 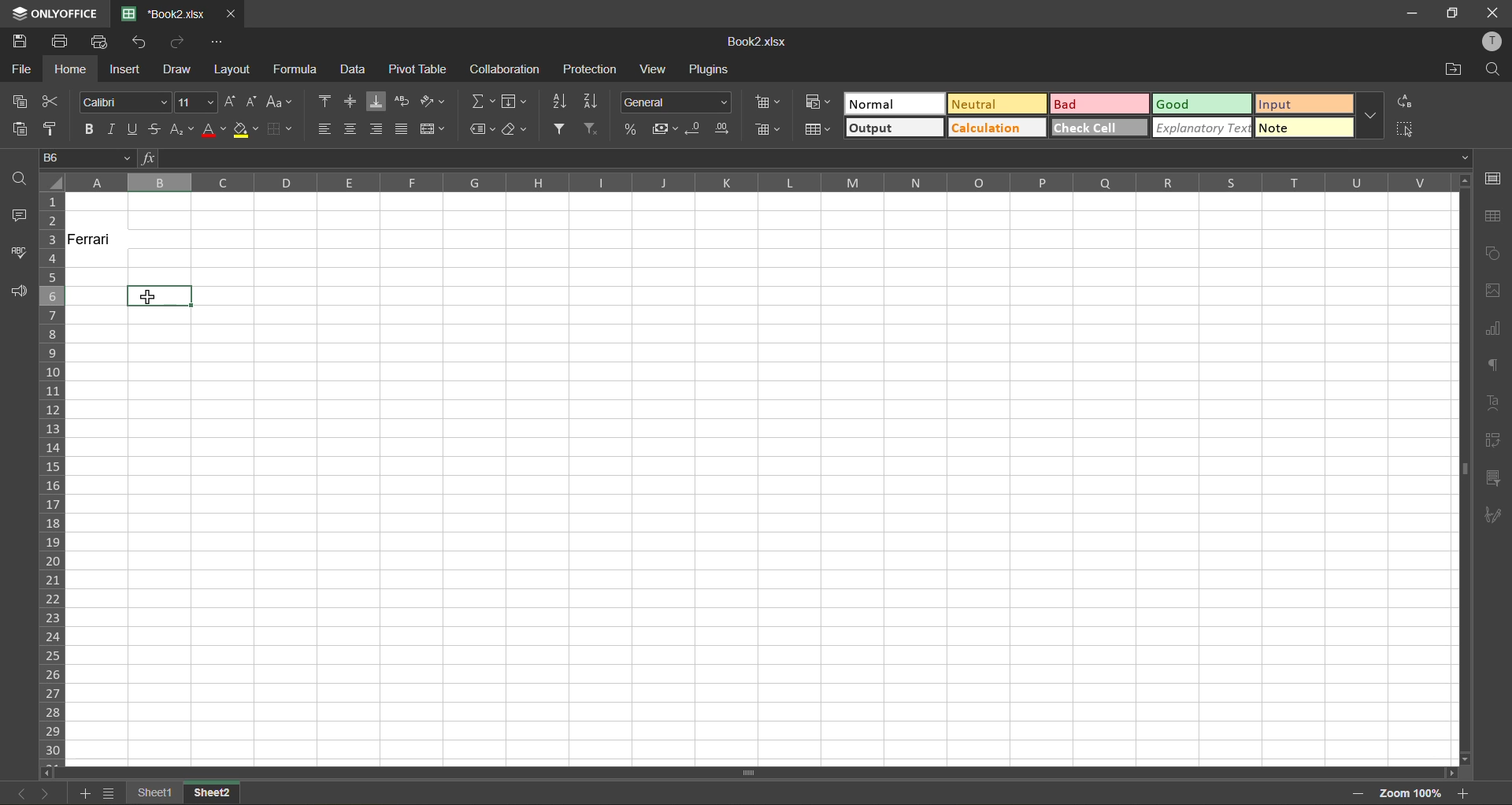 I want to click on insert, so click(x=125, y=69).